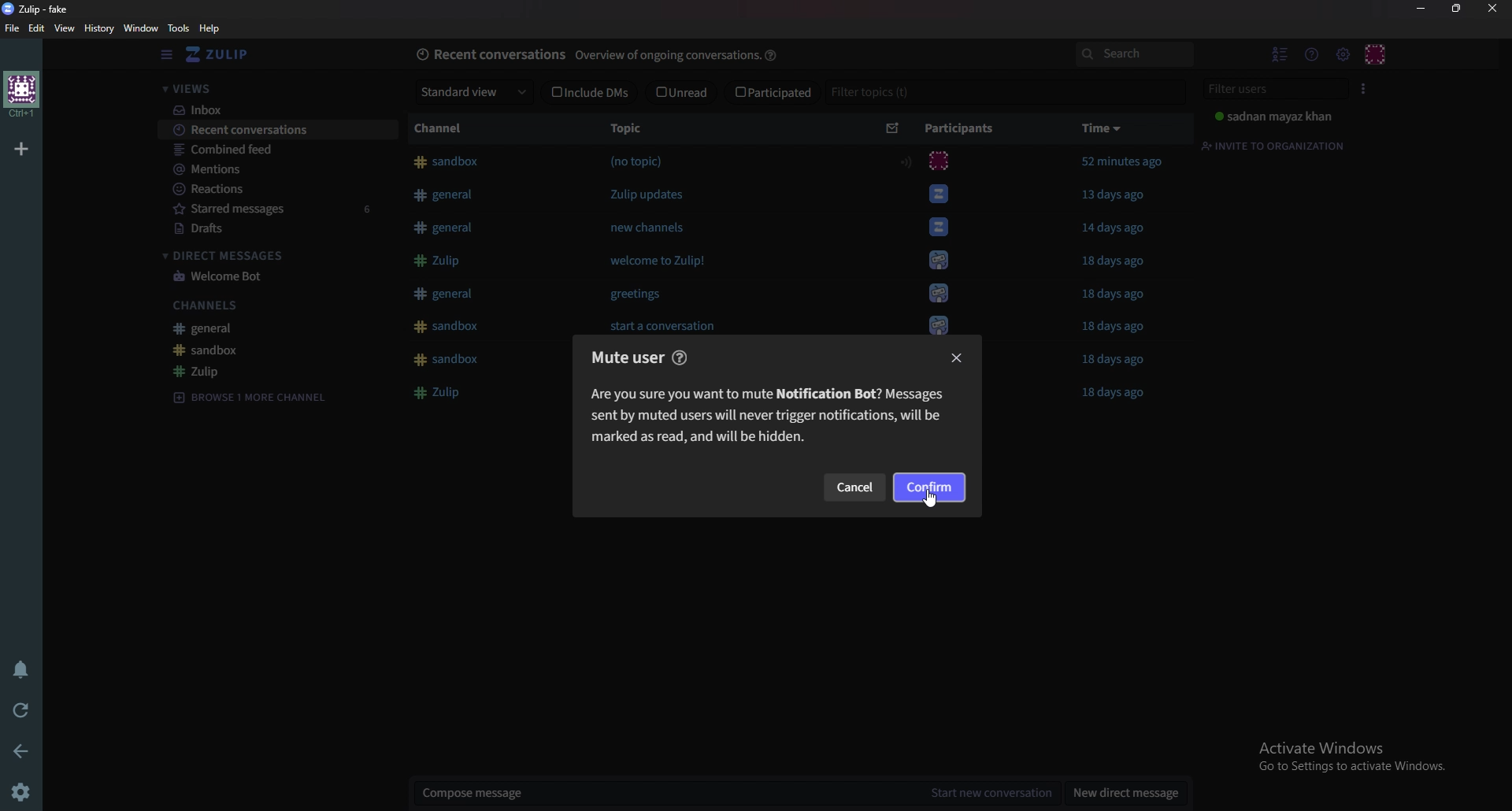 The height and width of the screenshot is (811, 1512). I want to click on 52 minutes ago, so click(1123, 161).